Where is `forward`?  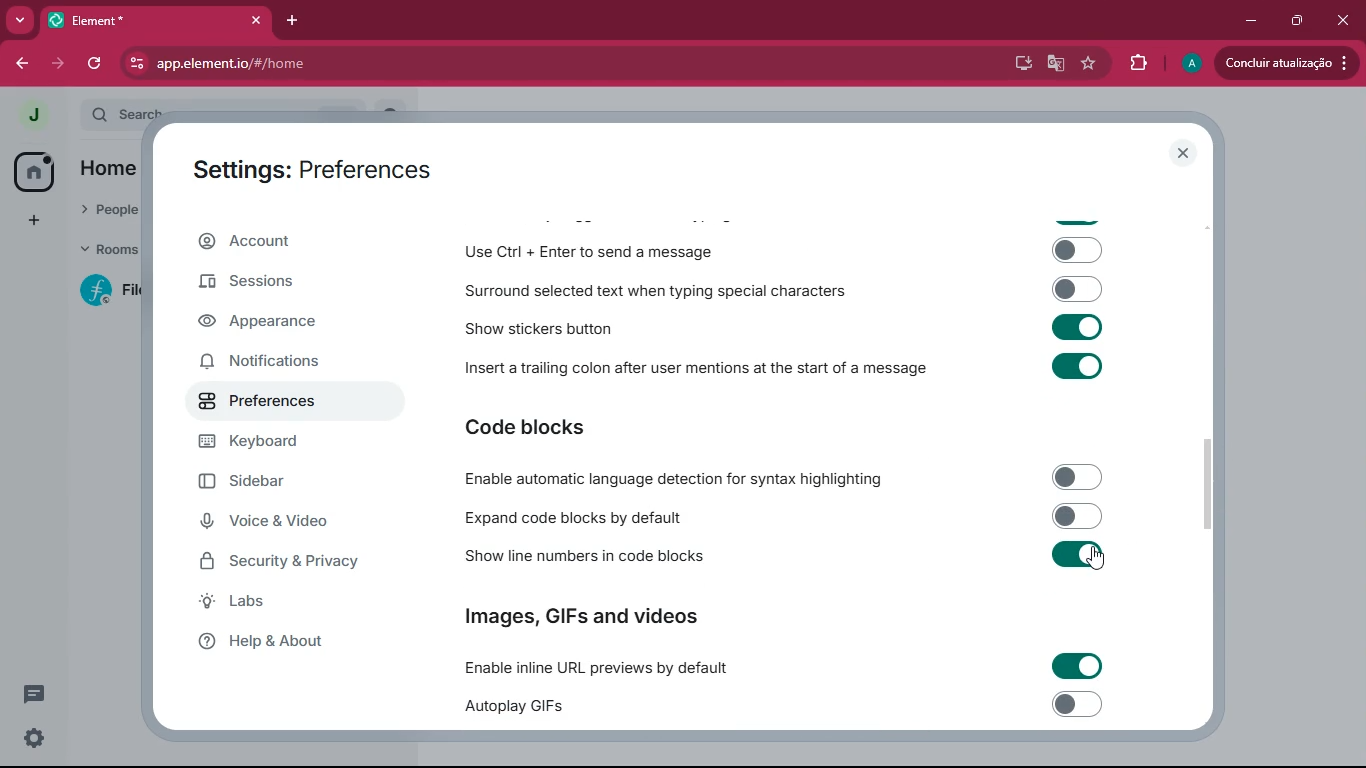
forward is located at coordinates (62, 63).